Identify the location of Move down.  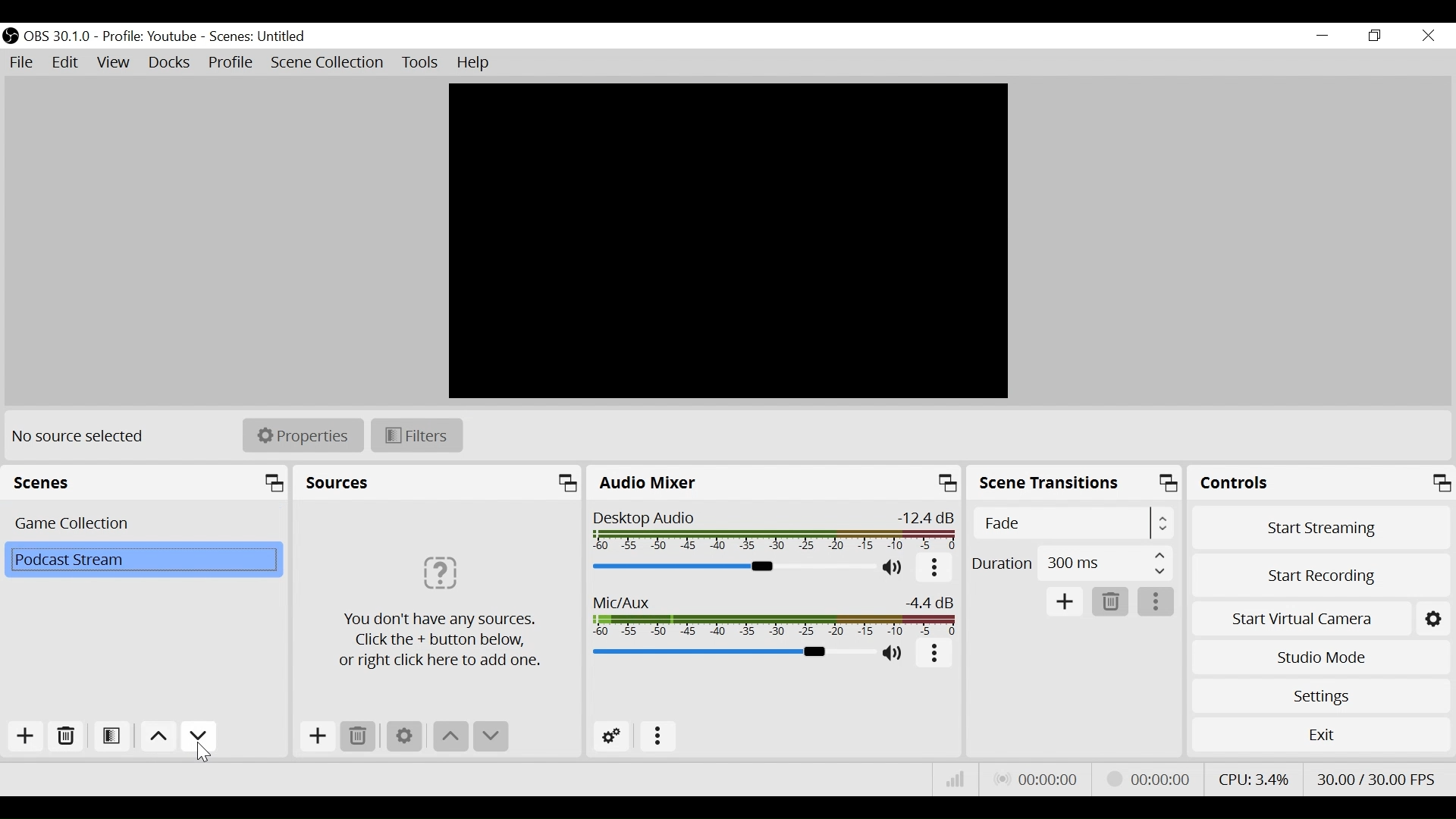
(198, 736).